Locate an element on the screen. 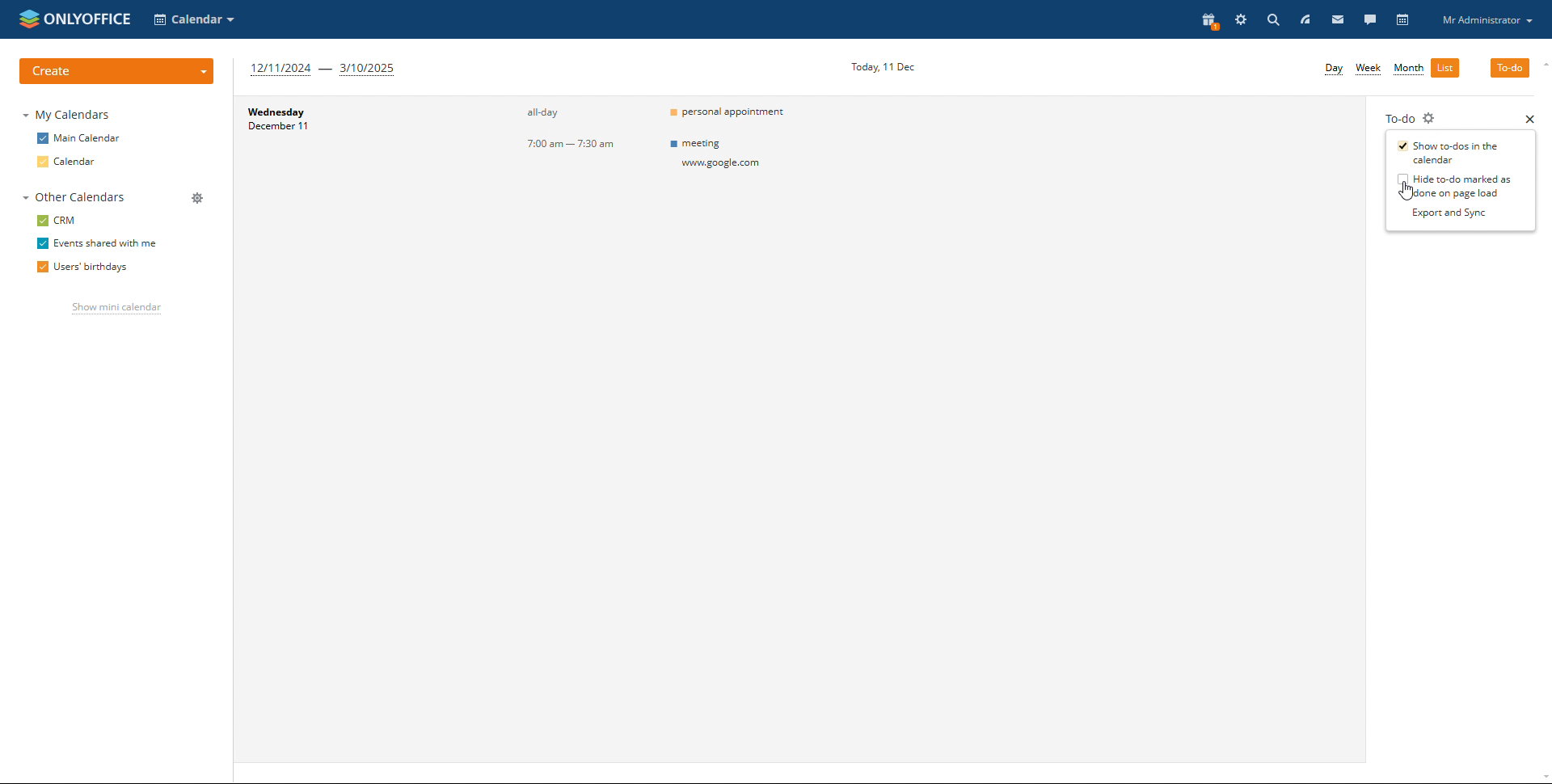  calendar is located at coordinates (66, 162).